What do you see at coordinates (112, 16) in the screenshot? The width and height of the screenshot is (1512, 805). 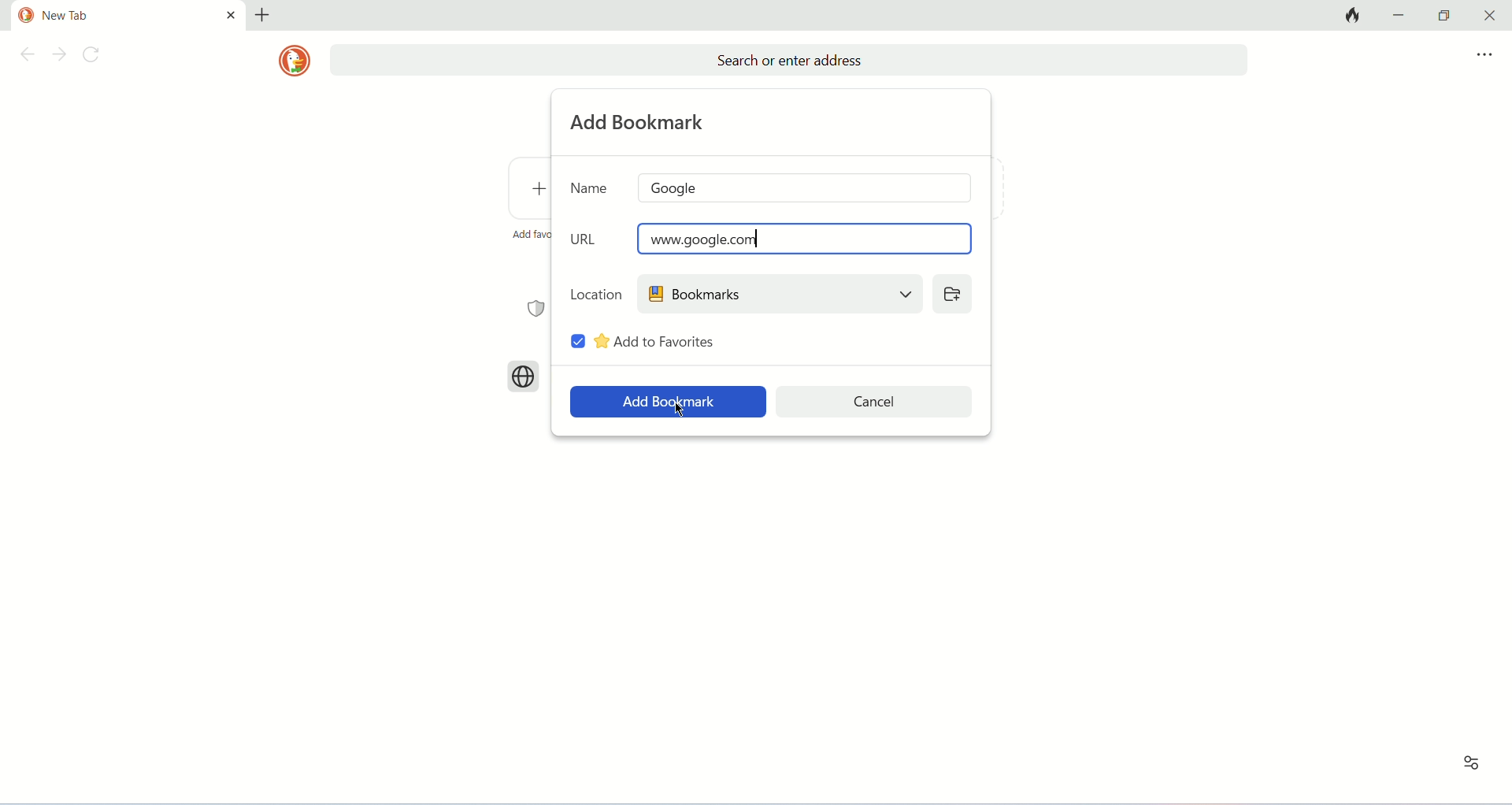 I see `current tab` at bounding box center [112, 16].